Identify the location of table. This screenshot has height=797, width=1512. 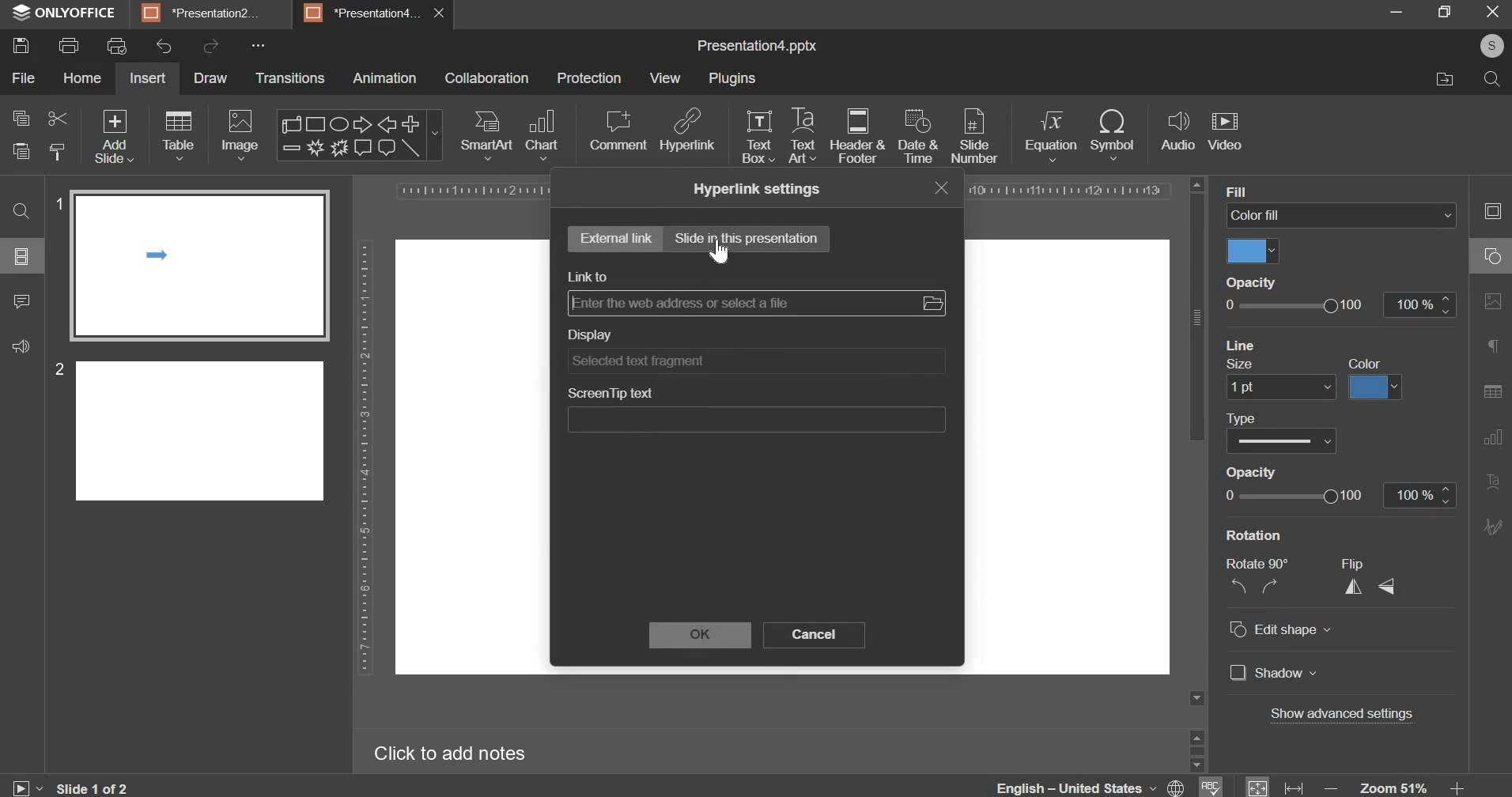
(179, 137).